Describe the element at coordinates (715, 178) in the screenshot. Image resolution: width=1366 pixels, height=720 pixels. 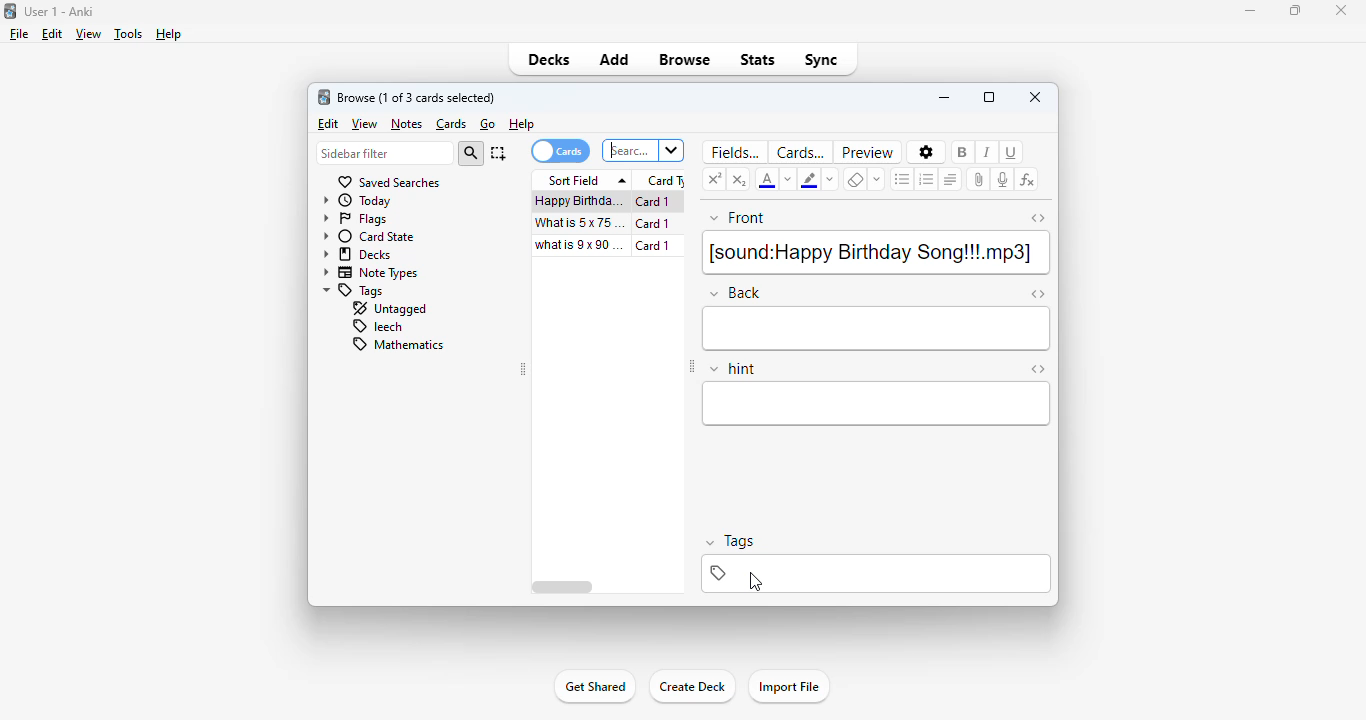
I see `superscript` at that location.